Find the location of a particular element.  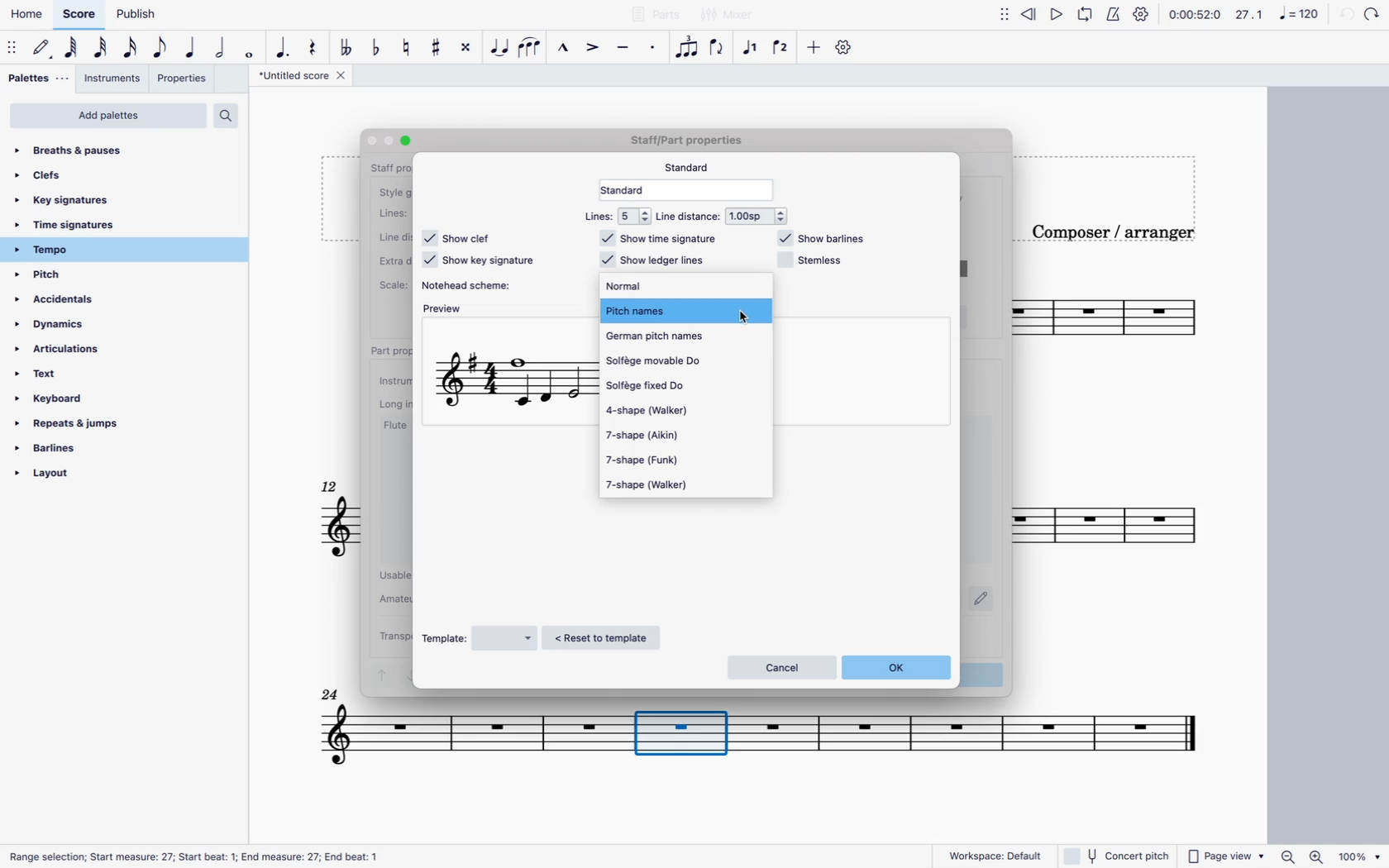

toggle natural is located at coordinates (408, 48).